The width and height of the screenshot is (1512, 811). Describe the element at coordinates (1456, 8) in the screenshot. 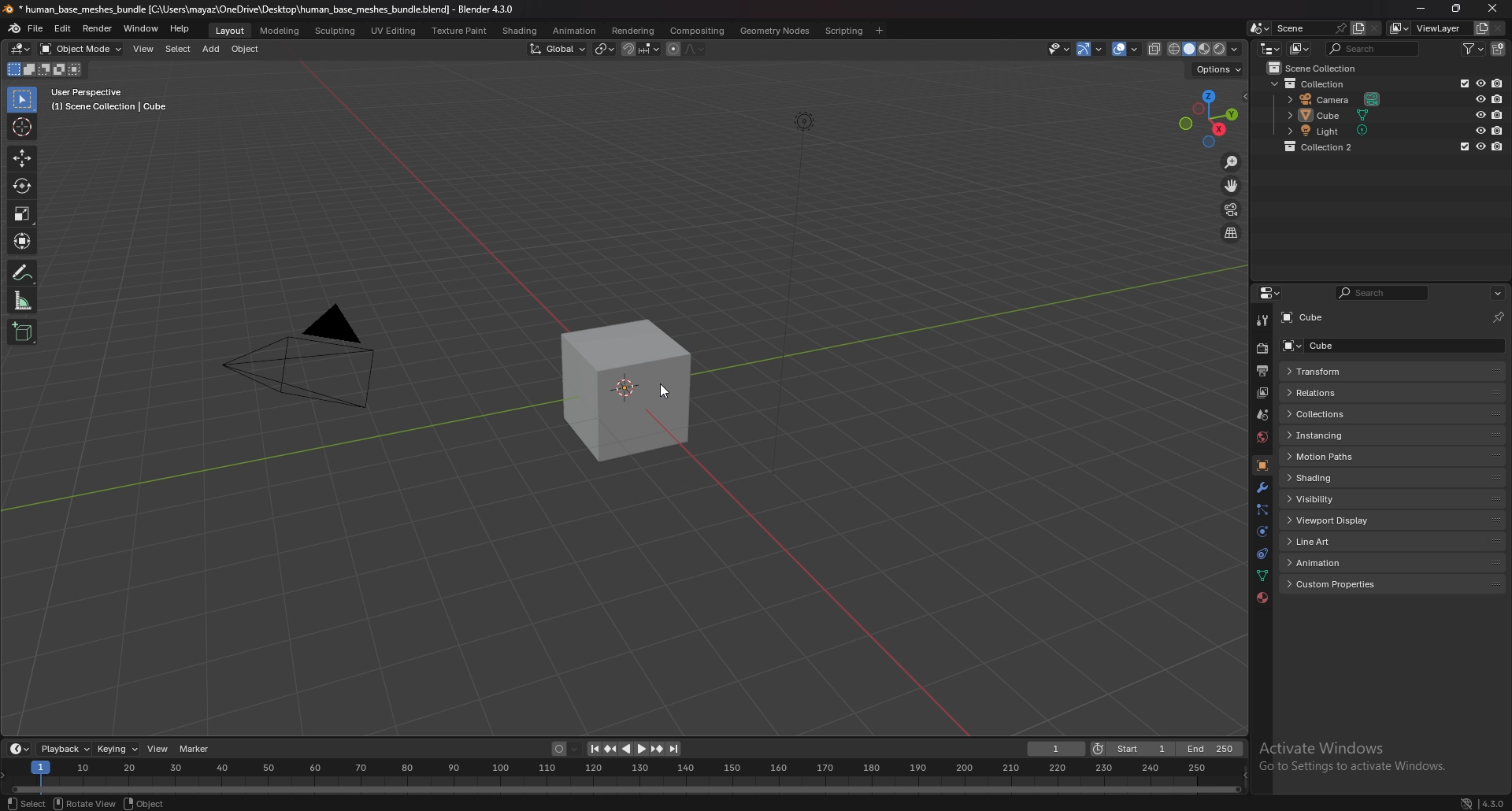

I see `resize` at that location.